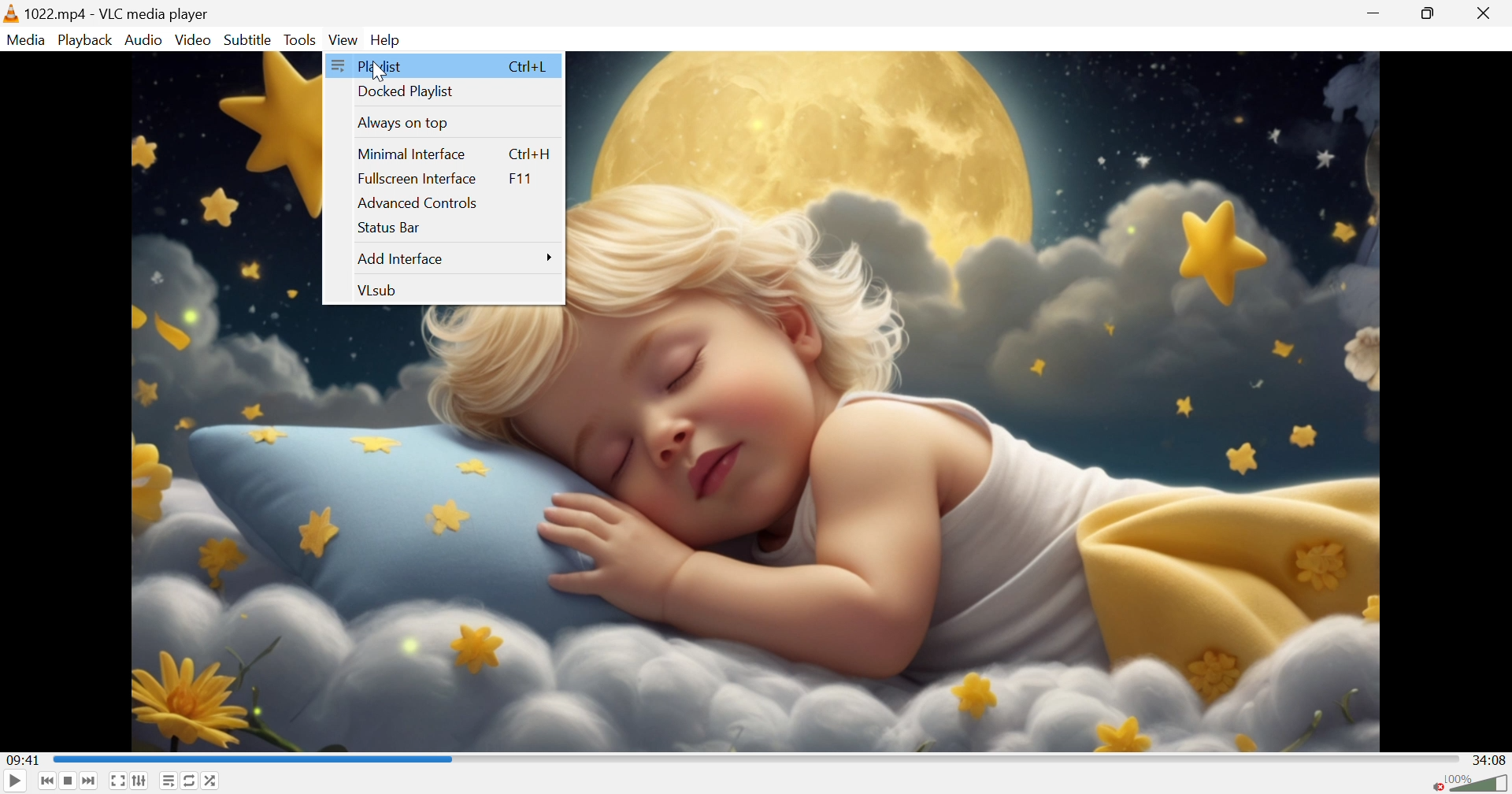 The width and height of the screenshot is (1512, 794). What do you see at coordinates (69, 782) in the screenshot?
I see `Stop playback` at bounding box center [69, 782].